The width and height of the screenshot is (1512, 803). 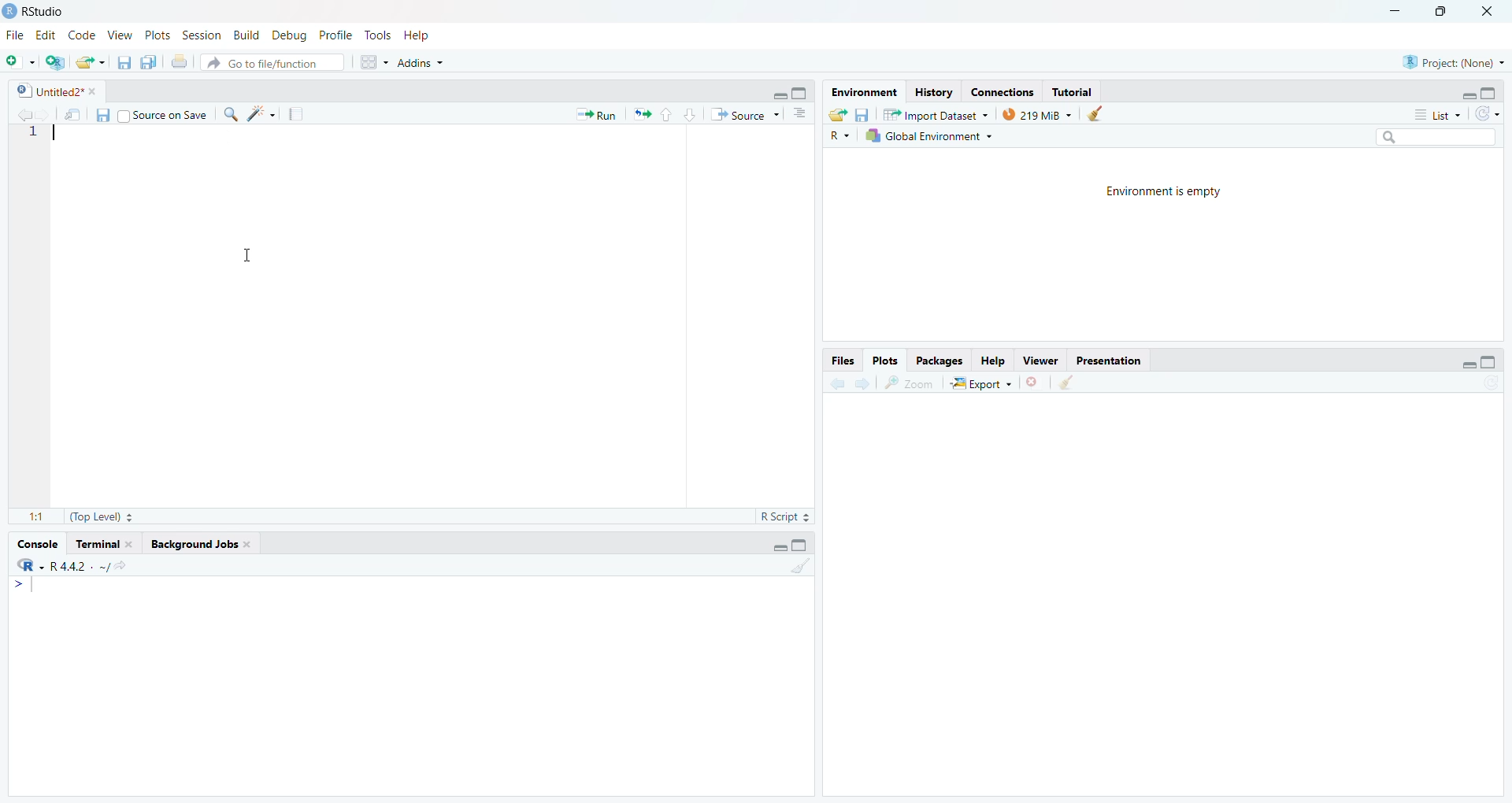 I want to click on Project: (None), so click(x=1452, y=61).